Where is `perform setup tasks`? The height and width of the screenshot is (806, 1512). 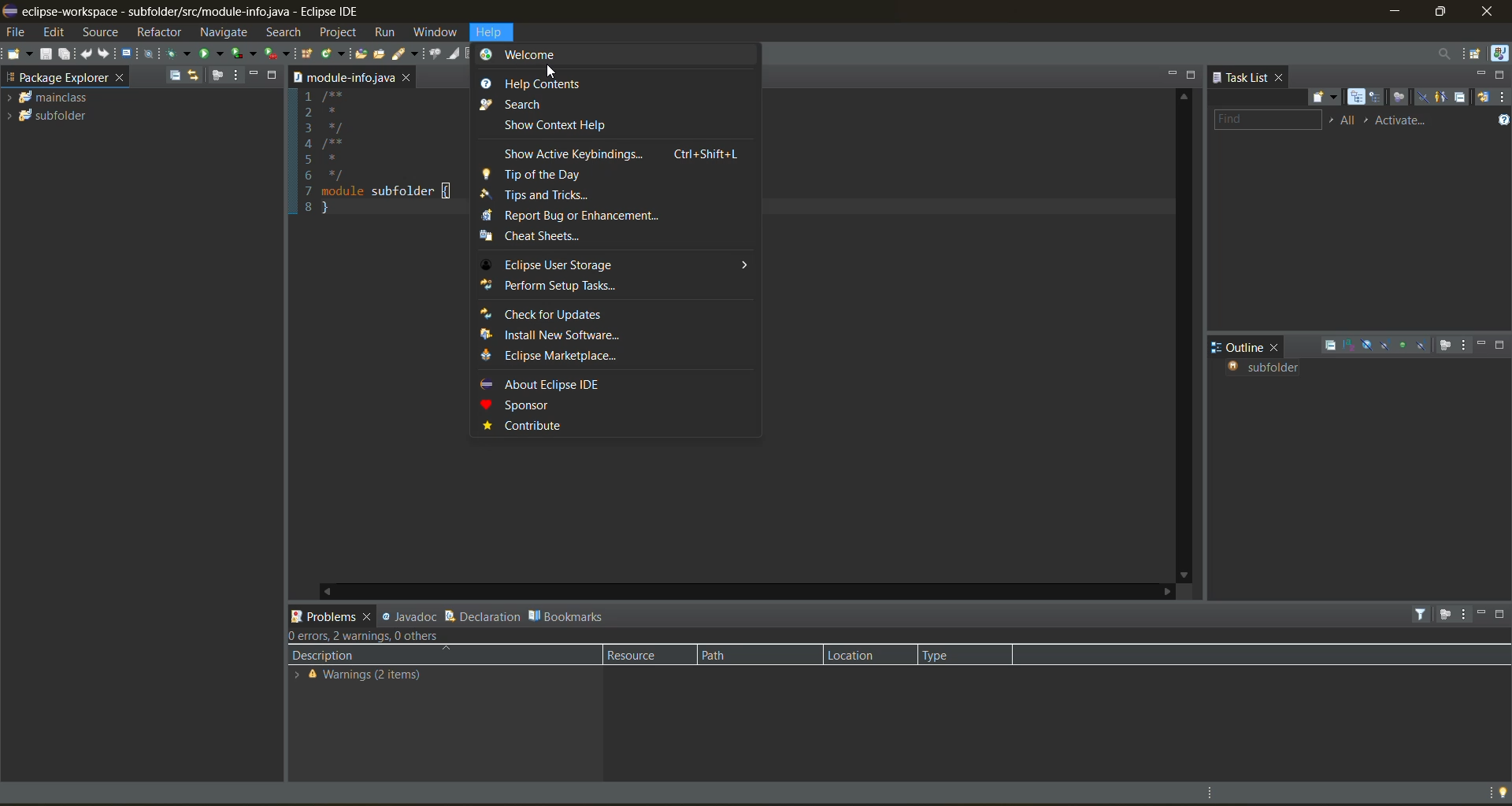 perform setup tasks is located at coordinates (591, 286).